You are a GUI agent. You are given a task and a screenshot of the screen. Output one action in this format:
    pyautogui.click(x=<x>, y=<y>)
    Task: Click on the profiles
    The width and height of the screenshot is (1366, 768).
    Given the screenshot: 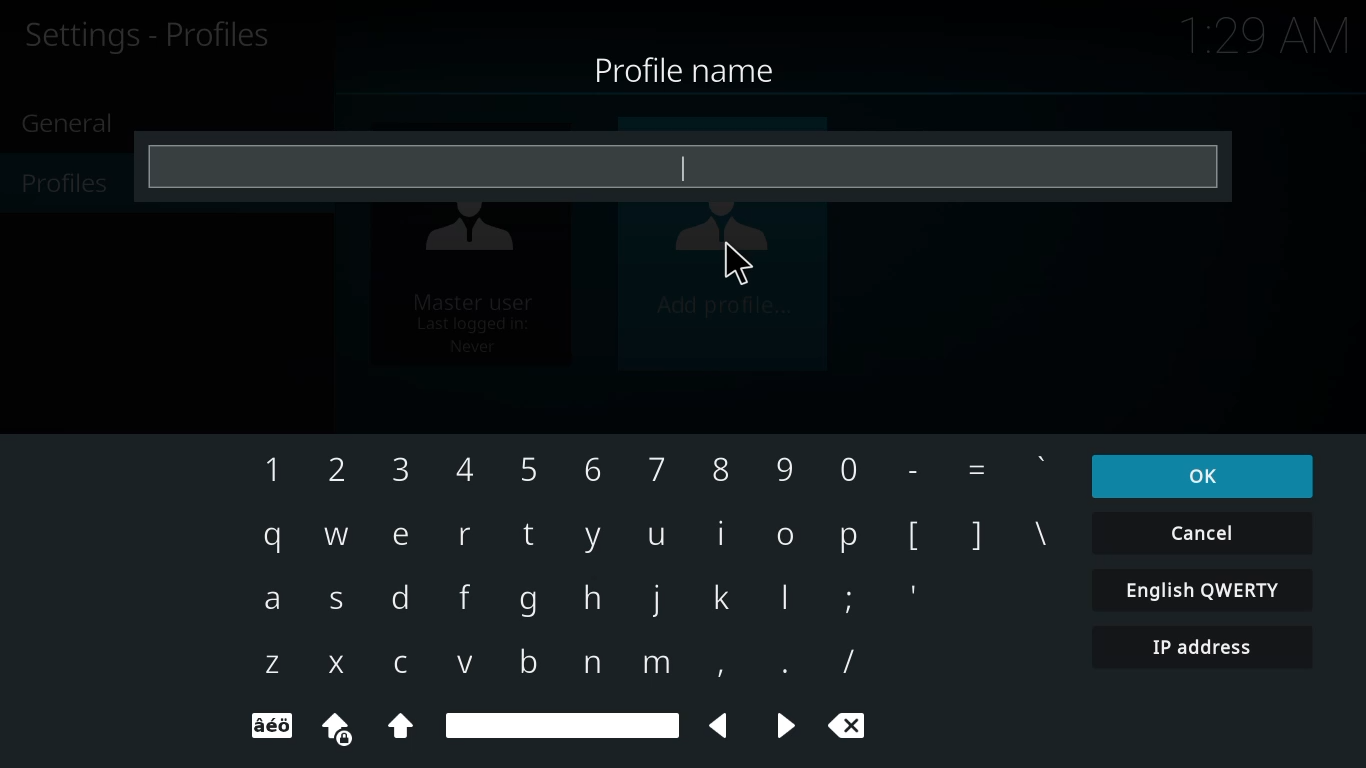 What is the action you would take?
    pyautogui.click(x=69, y=183)
    